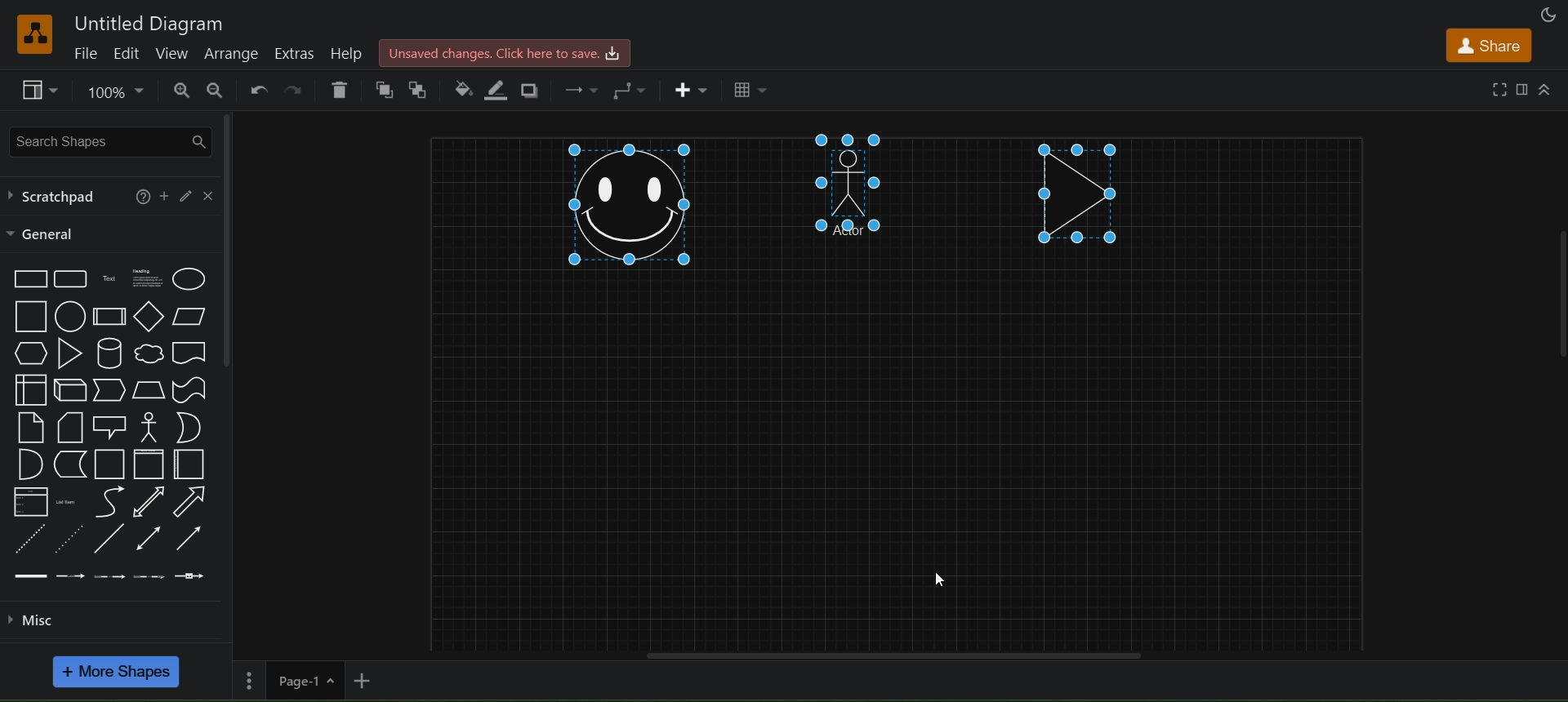  What do you see at coordinates (256, 88) in the screenshot?
I see `undo` at bounding box center [256, 88].